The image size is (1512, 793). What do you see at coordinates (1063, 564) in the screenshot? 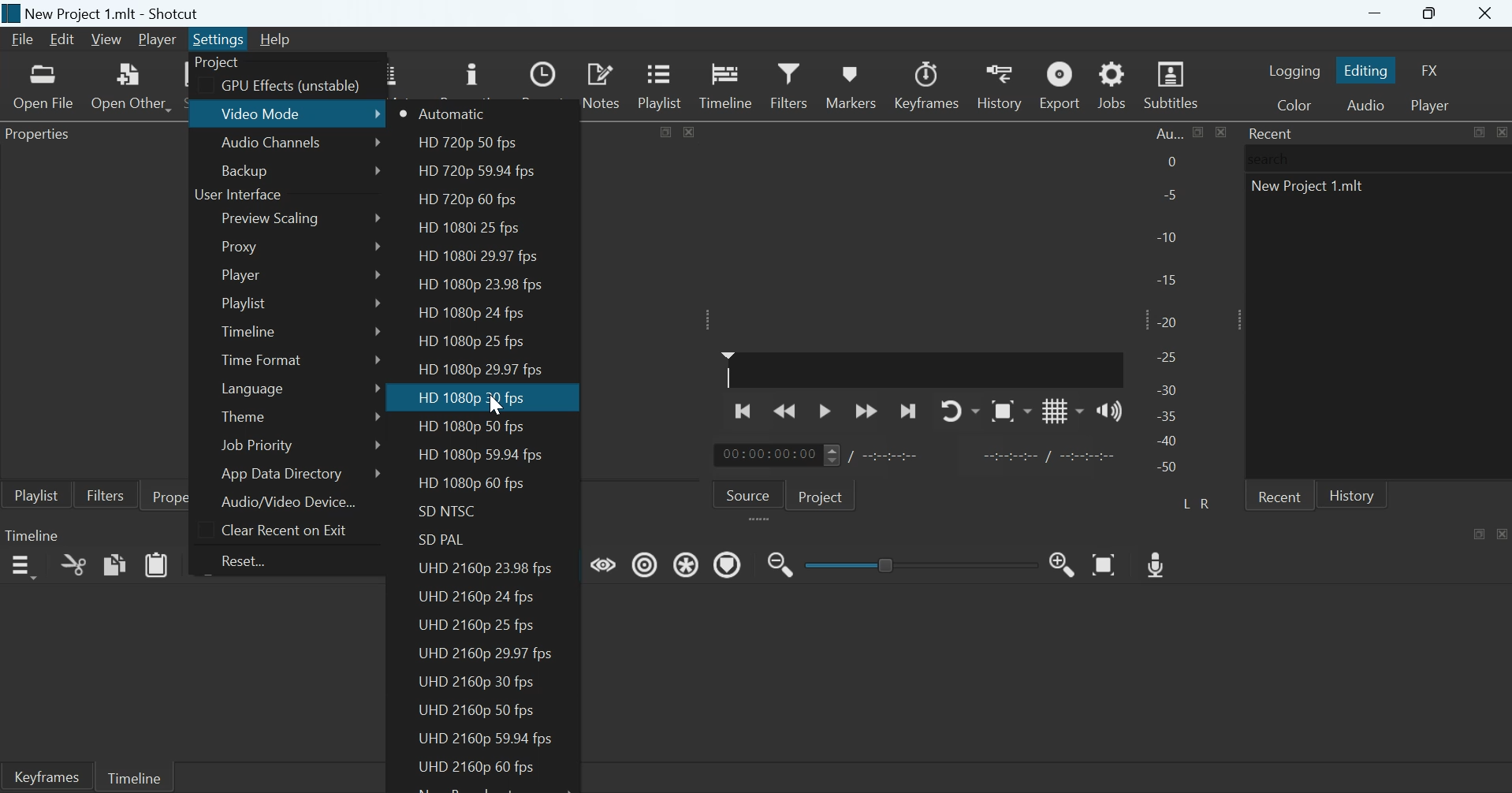
I see `Zoom timeline out` at bounding box center [1063, 564].